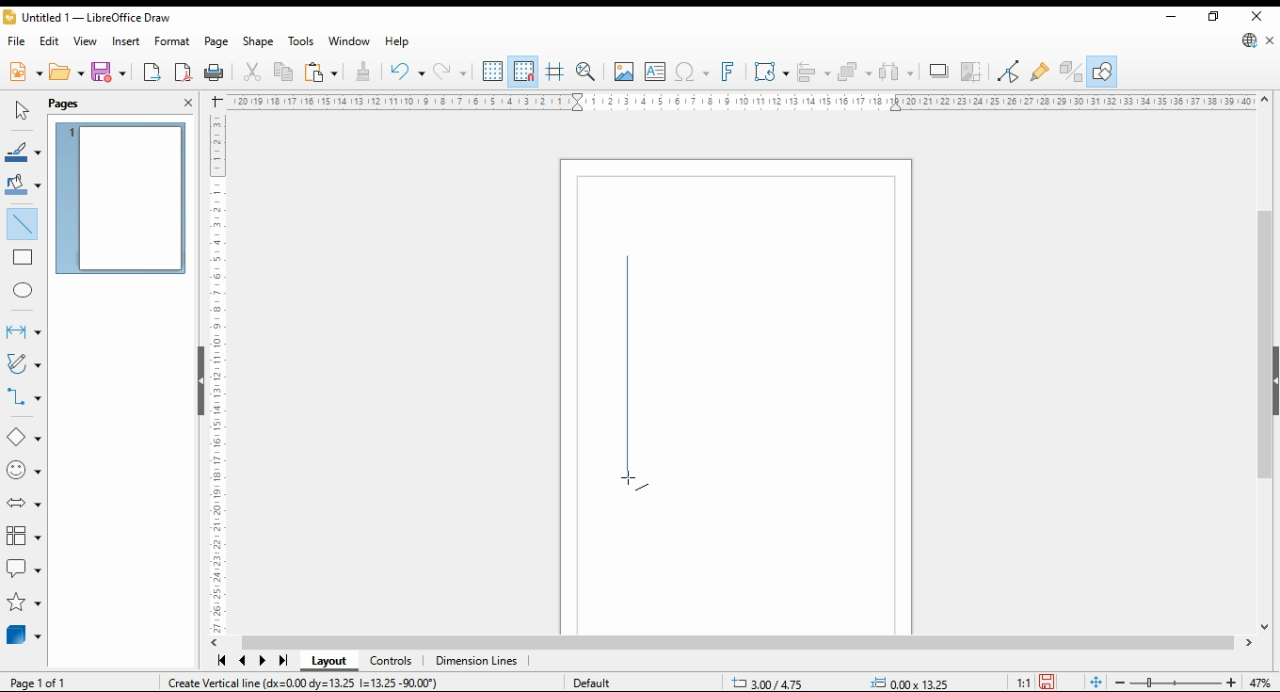 Image resolution: width=1280 pixels, height=692 pixels. Describe the element at coordinates (1274, 379) in the screenshot. I see `collapse` at that location.